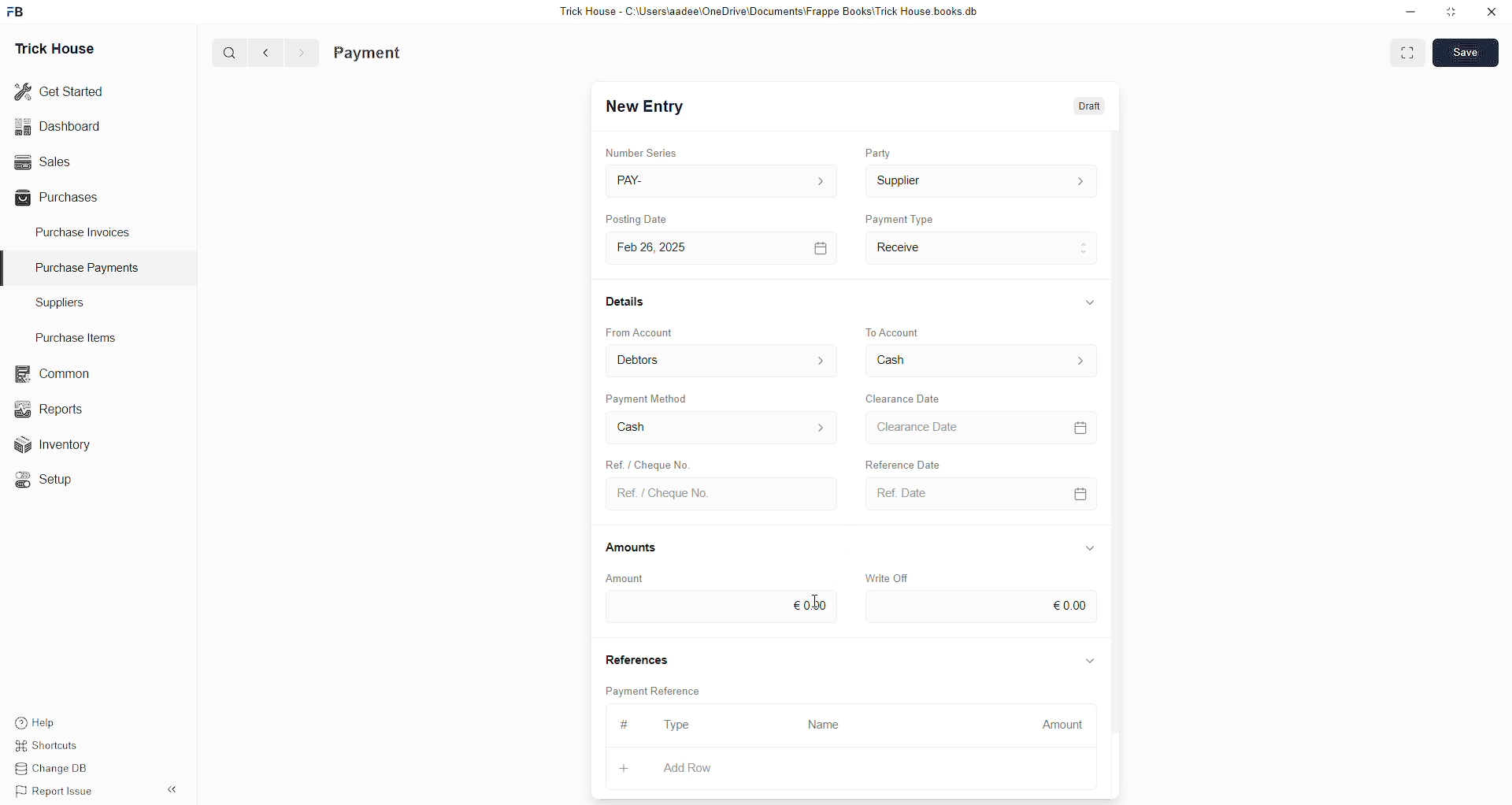 This screenshot has width=1512, height=805. I want to click on Amount, so click(1063, 725).